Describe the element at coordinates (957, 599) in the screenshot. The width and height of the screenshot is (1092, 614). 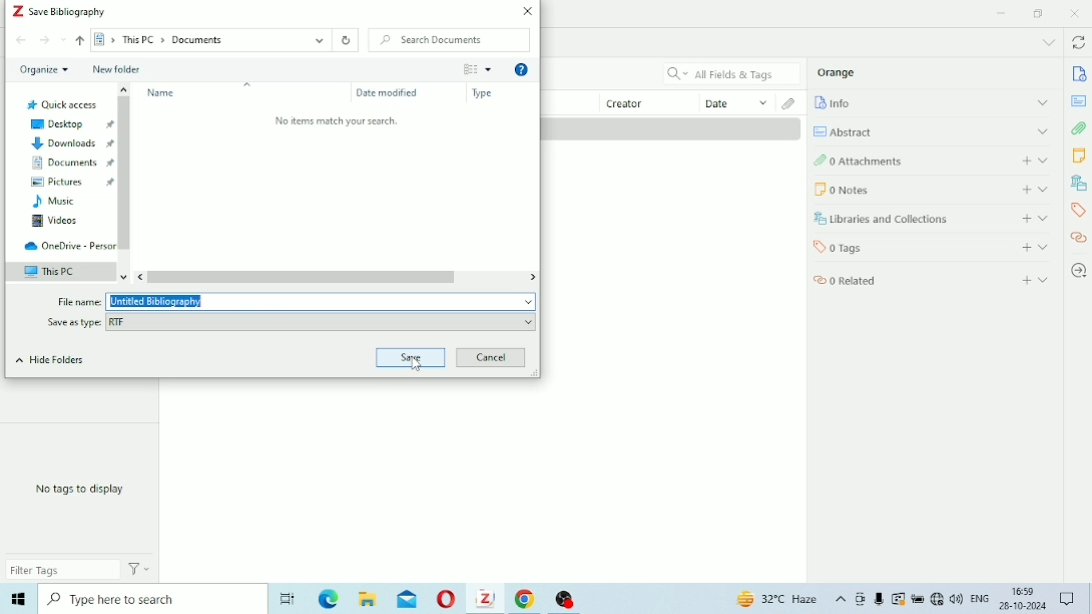
I see `Speakers` at that location.